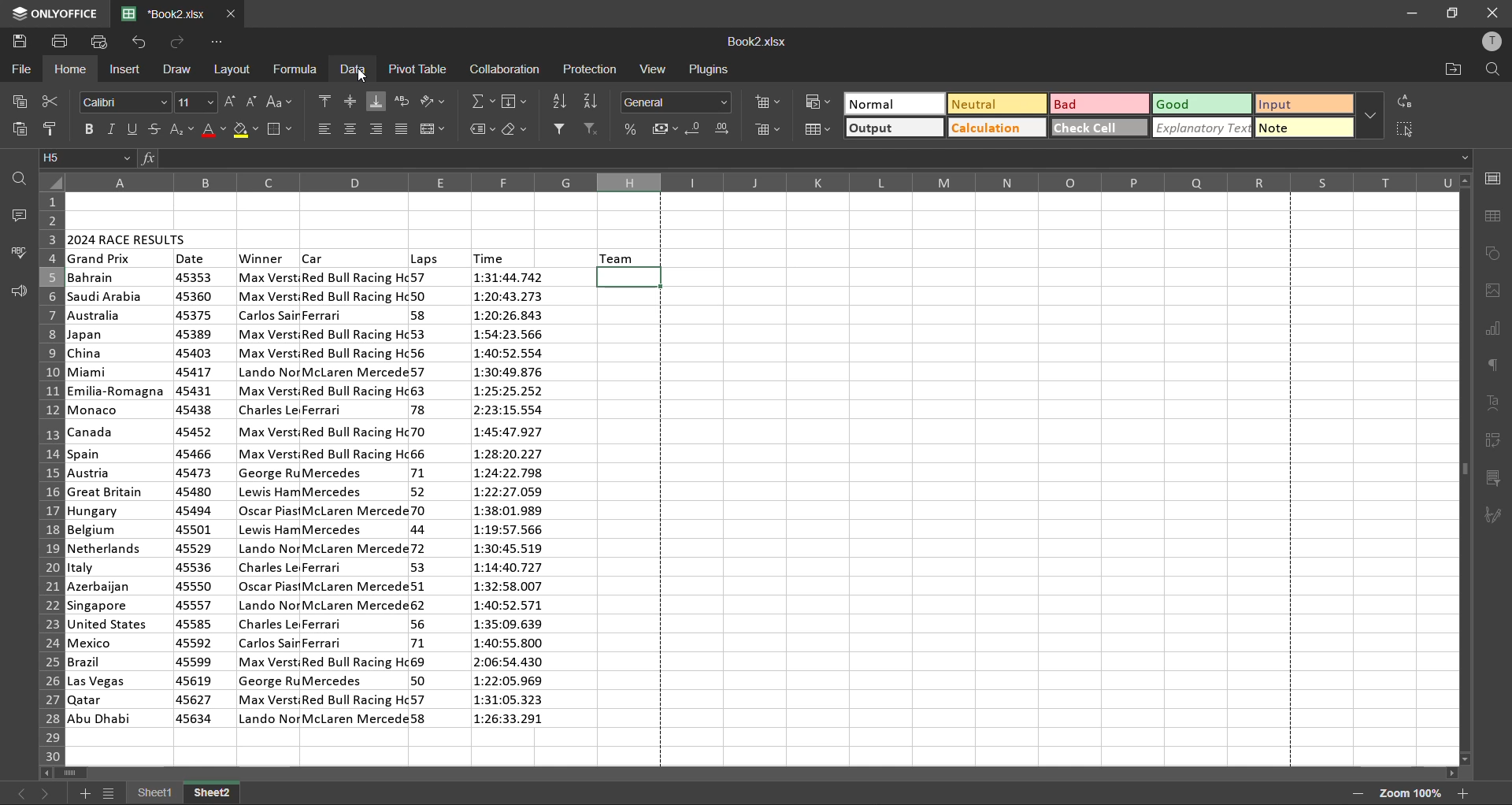  Describe the element at coordinates (350, 101) in the screenshot. I see `align middle` at that location.